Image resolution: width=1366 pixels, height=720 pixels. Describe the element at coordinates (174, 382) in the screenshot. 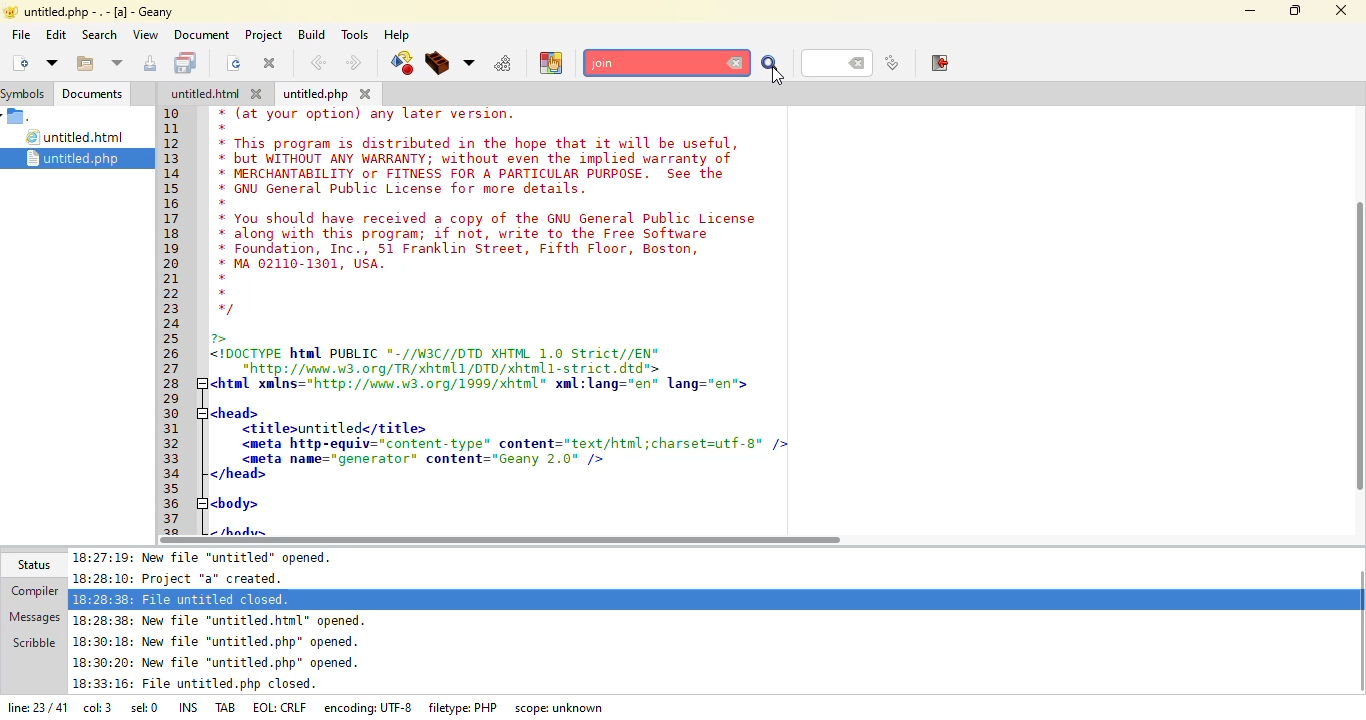

I see `28` at that location.